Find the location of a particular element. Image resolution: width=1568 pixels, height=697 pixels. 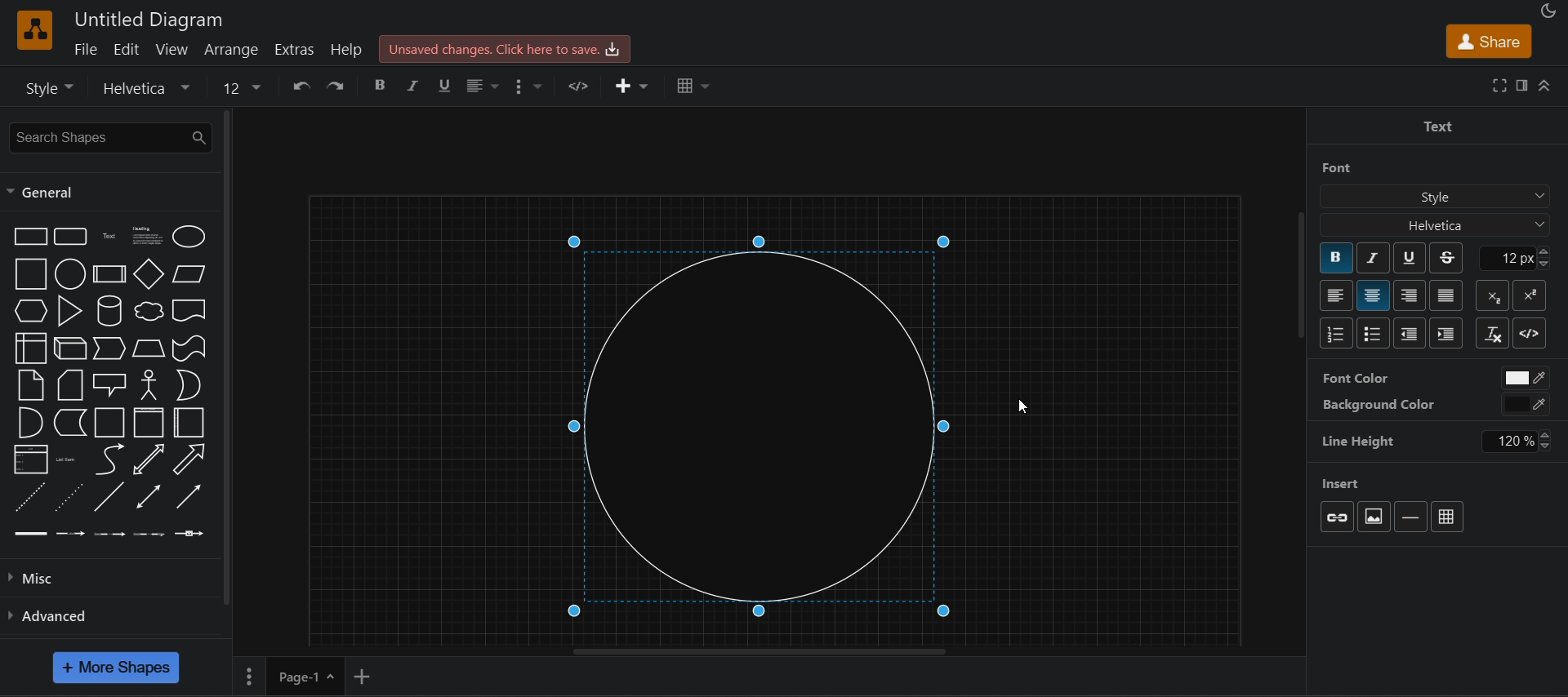

font color is located at coordinates (1383, 380).